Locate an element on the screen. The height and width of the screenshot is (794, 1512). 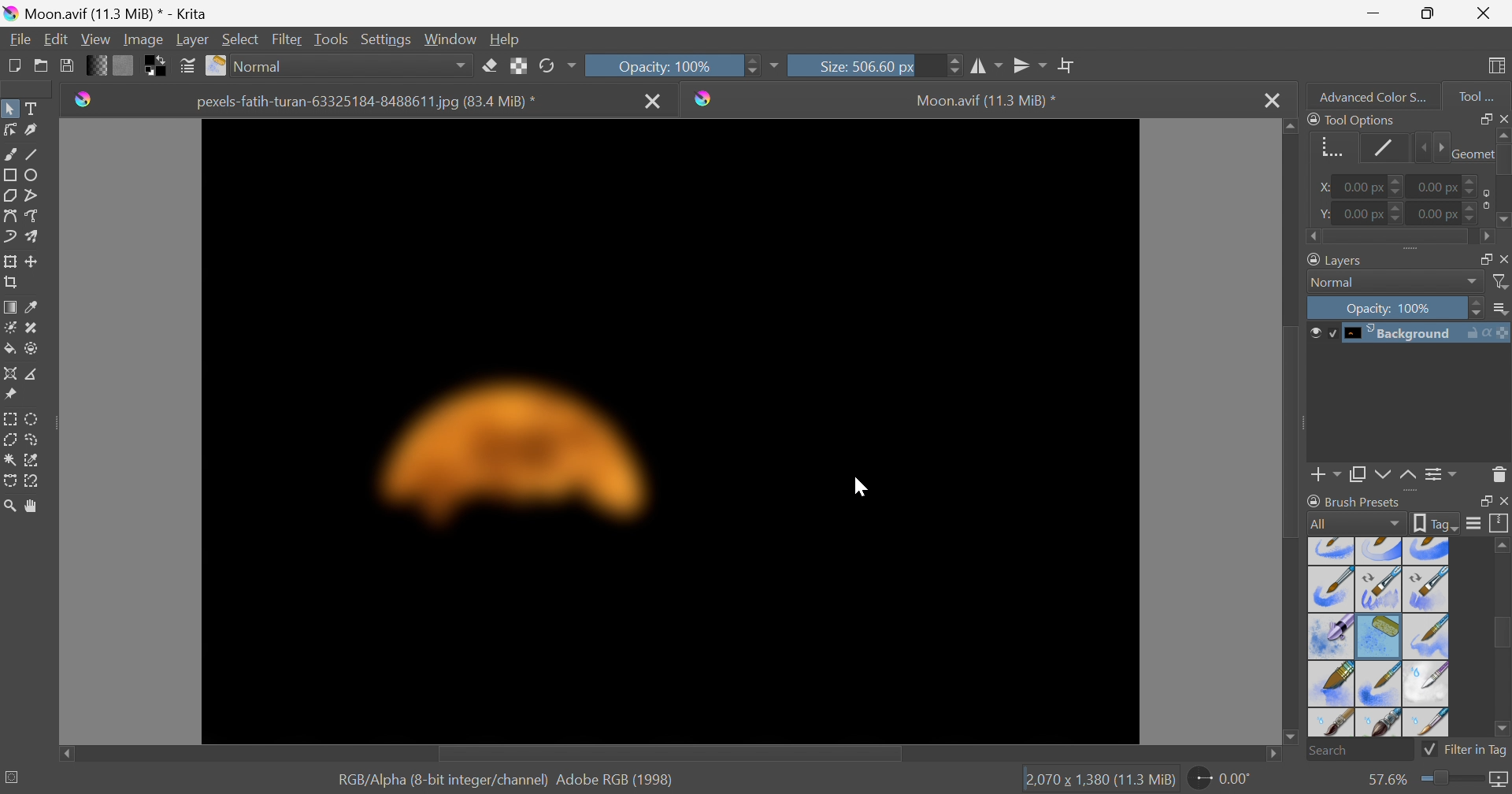
Opacity: 100% is located at coordinates (672, 66).